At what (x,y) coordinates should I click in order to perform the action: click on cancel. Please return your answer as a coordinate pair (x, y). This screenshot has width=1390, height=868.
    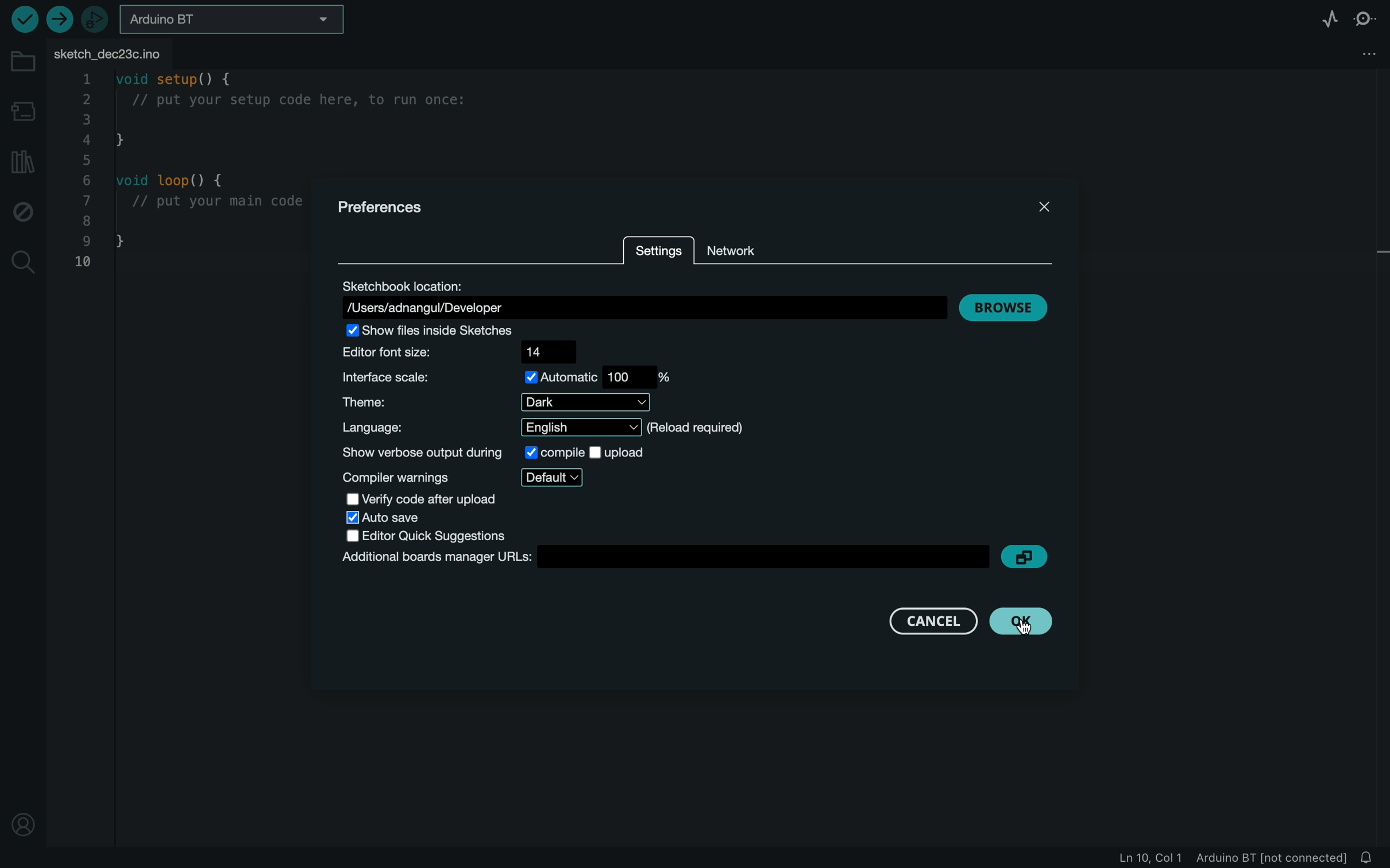
    Looking at the image, I should click on (918, 621).